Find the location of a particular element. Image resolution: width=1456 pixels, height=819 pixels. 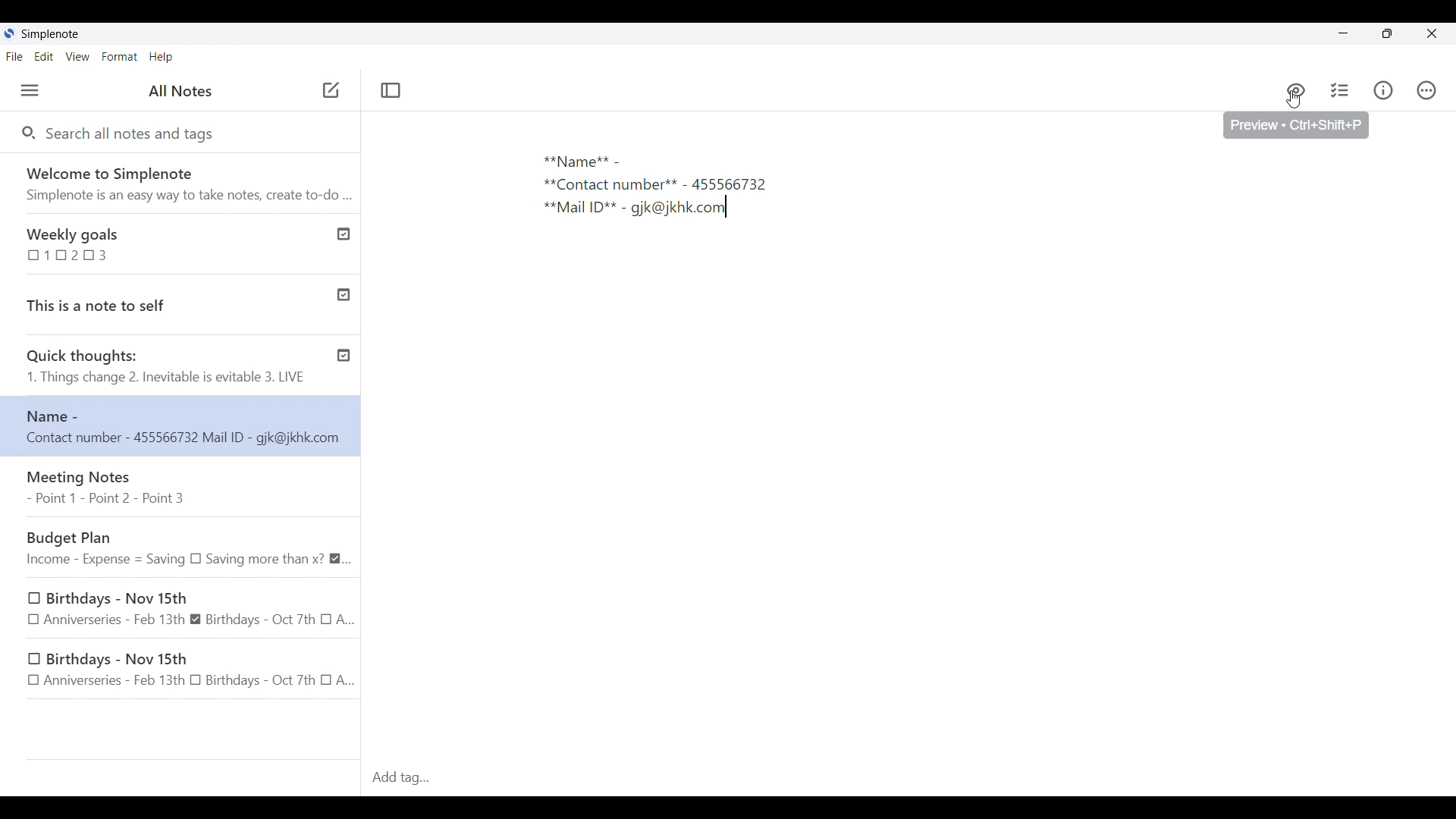

Toggle focus mode is located at coordinates (392, 91).